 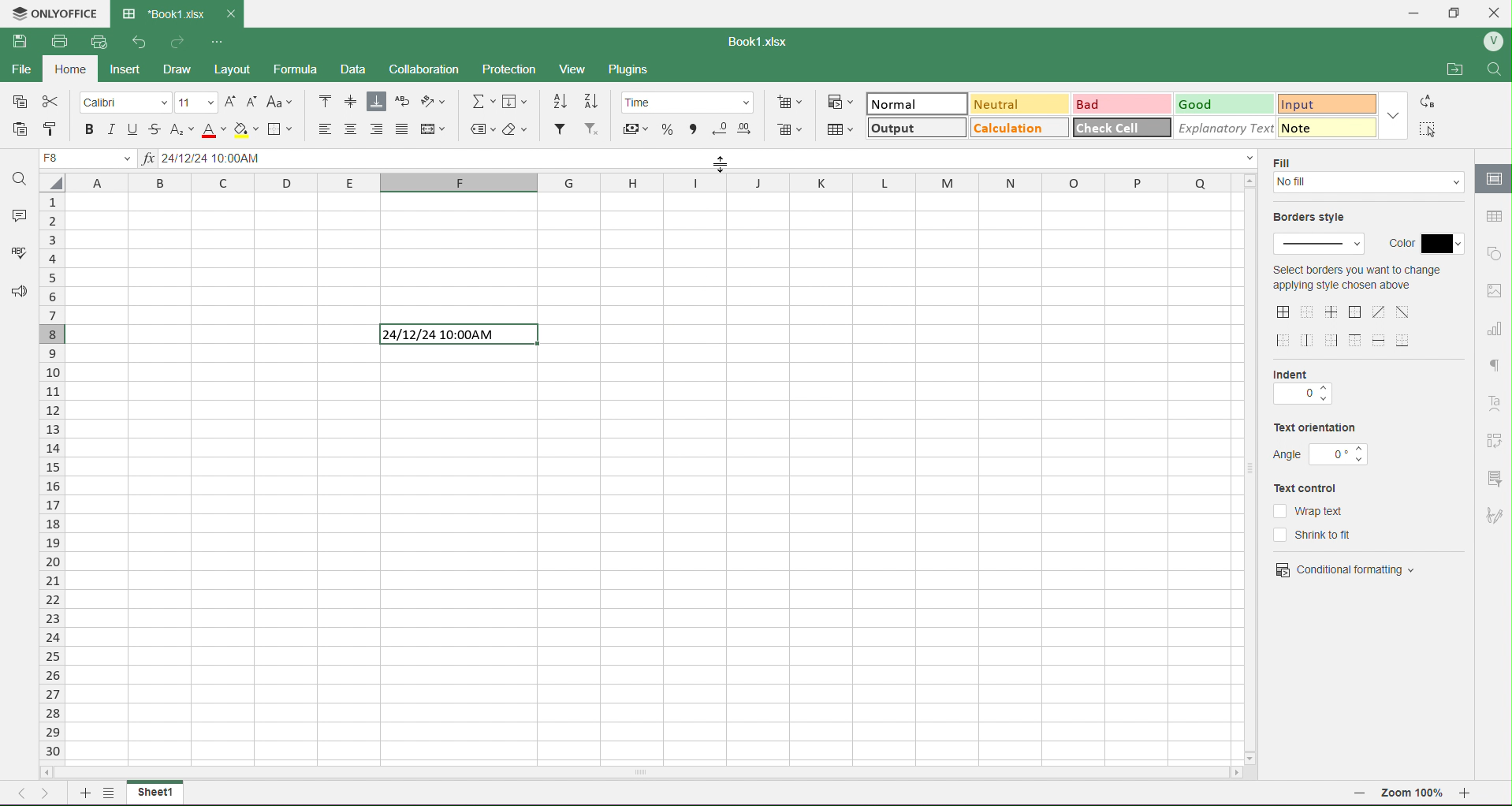 I want to click on Redo, so click(x=179, y=41).